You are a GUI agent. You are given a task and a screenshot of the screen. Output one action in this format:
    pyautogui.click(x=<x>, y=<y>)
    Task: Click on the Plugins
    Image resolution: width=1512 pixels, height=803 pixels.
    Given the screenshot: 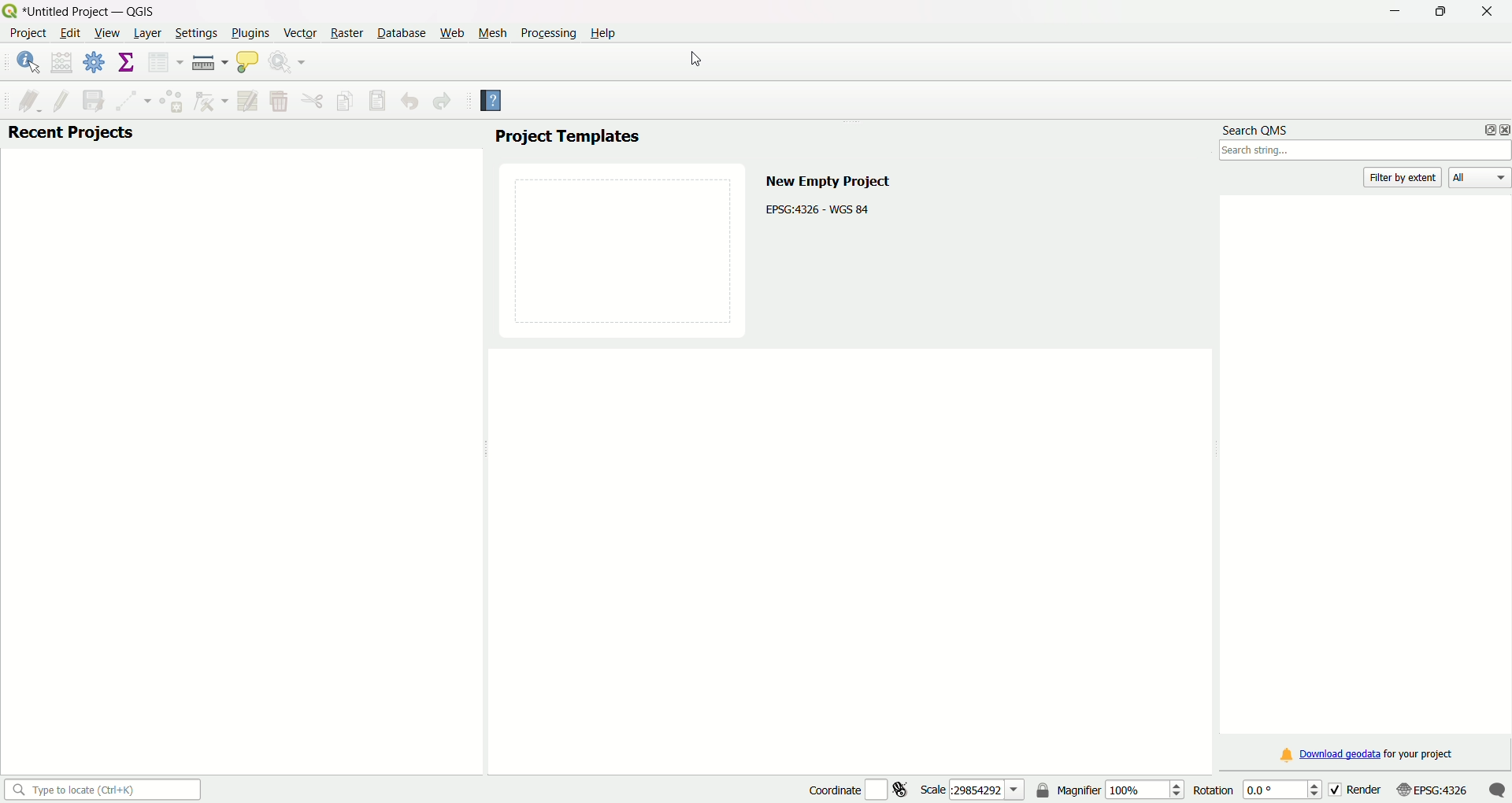 What is the action you would take?
    pyautogui.click(x=250, y=32)
    